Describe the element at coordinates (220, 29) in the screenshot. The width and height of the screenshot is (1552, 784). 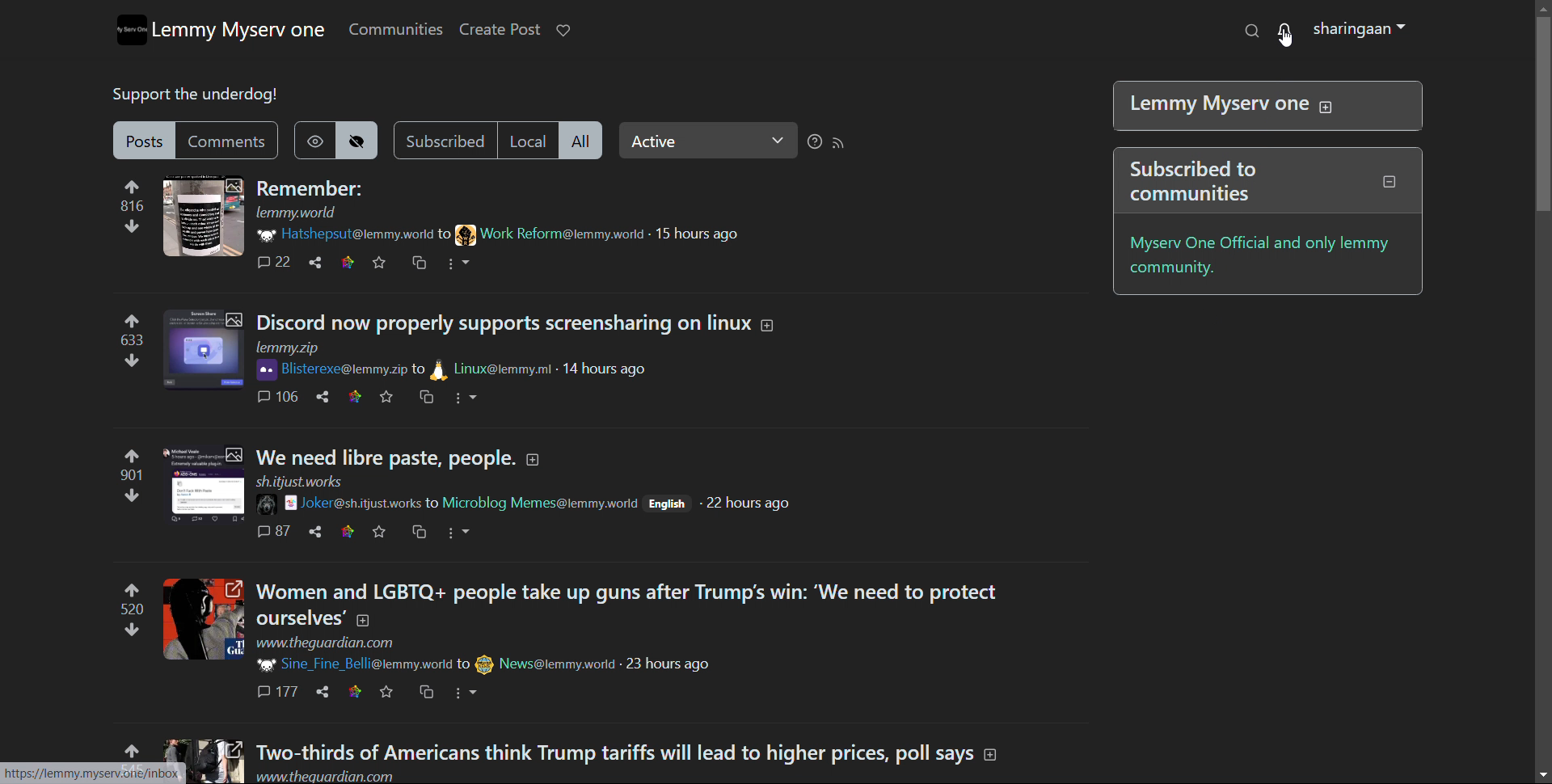
I see `Lemmy Myserv one logo and name` at that location.